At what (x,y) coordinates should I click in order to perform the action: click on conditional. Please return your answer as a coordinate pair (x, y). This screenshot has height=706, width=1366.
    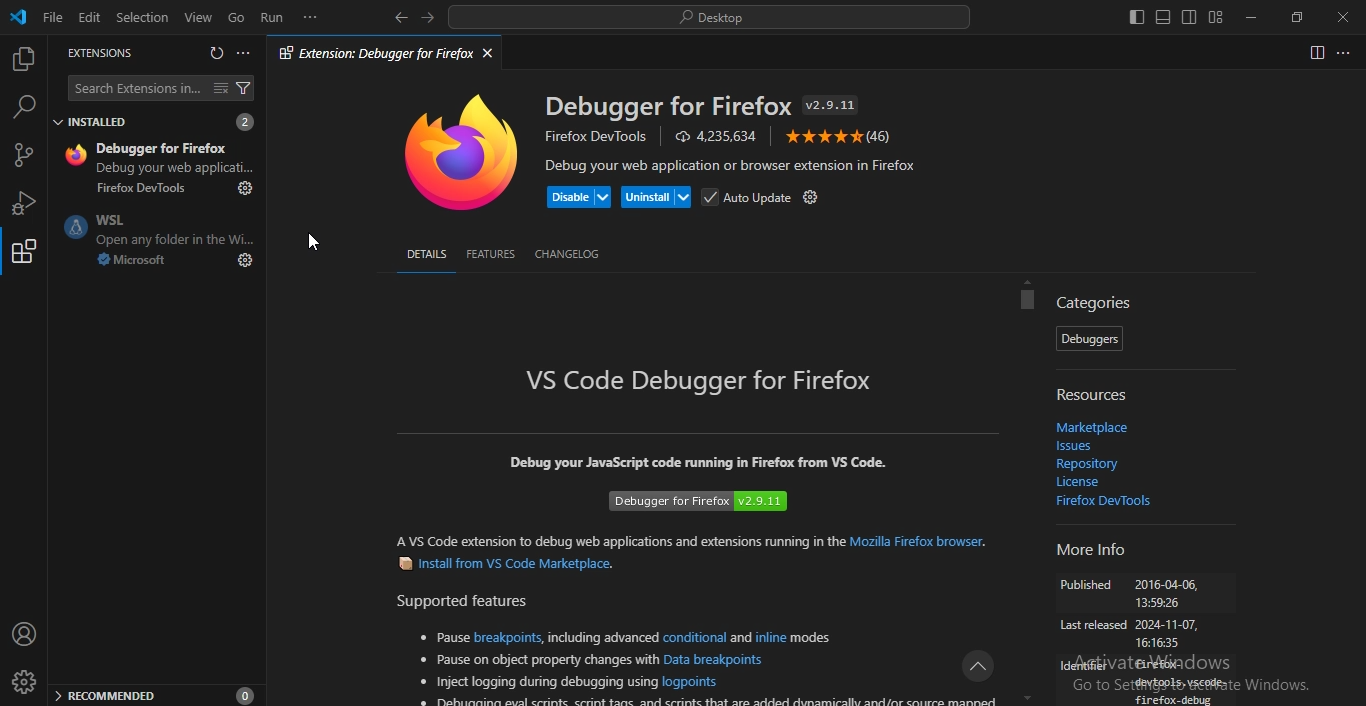
    Looking at the image, I should click on (694, 633).